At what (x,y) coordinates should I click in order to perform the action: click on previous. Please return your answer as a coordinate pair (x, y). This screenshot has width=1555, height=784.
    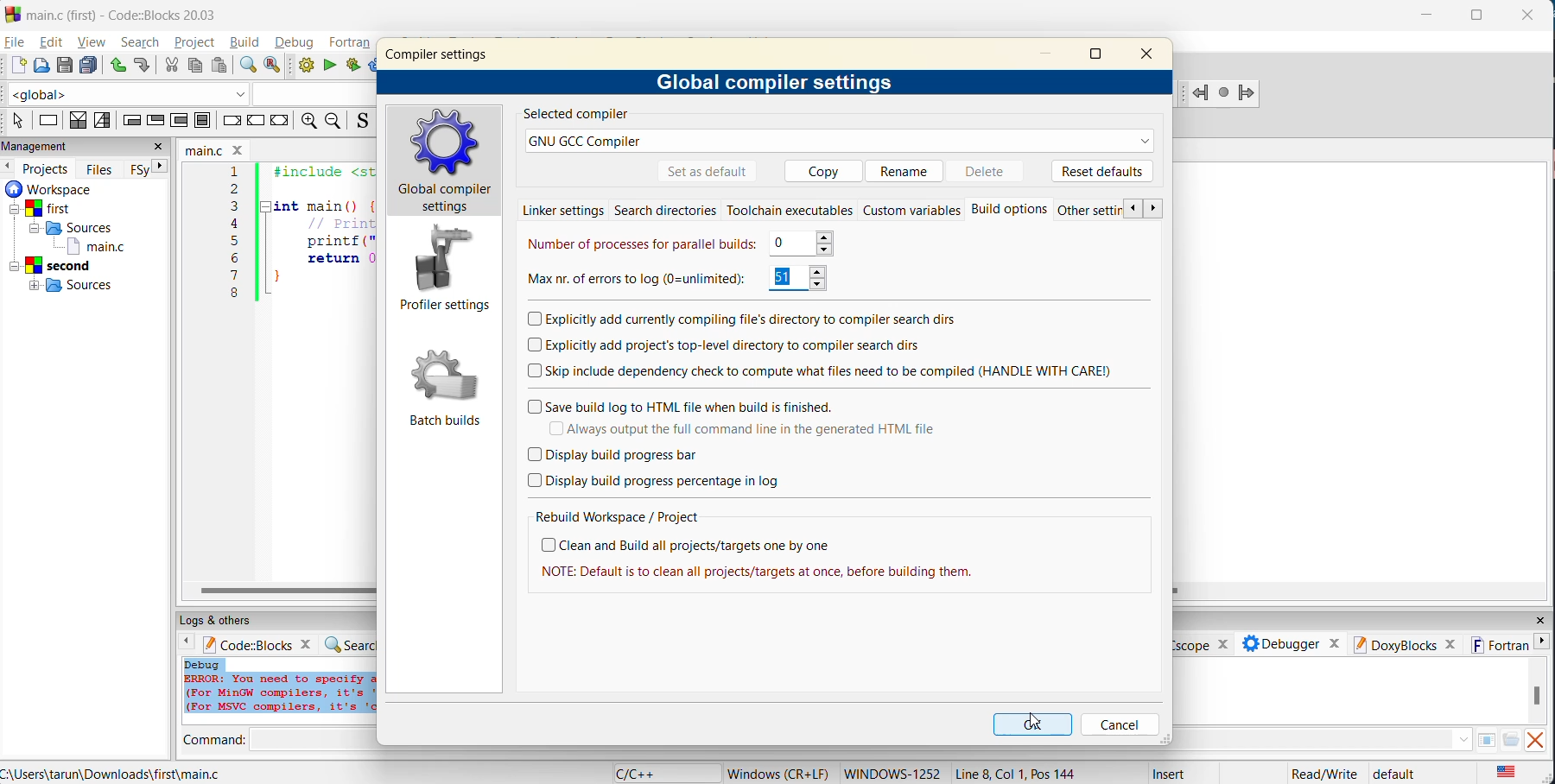
    Looking at the image, I should click on (1127, 208).